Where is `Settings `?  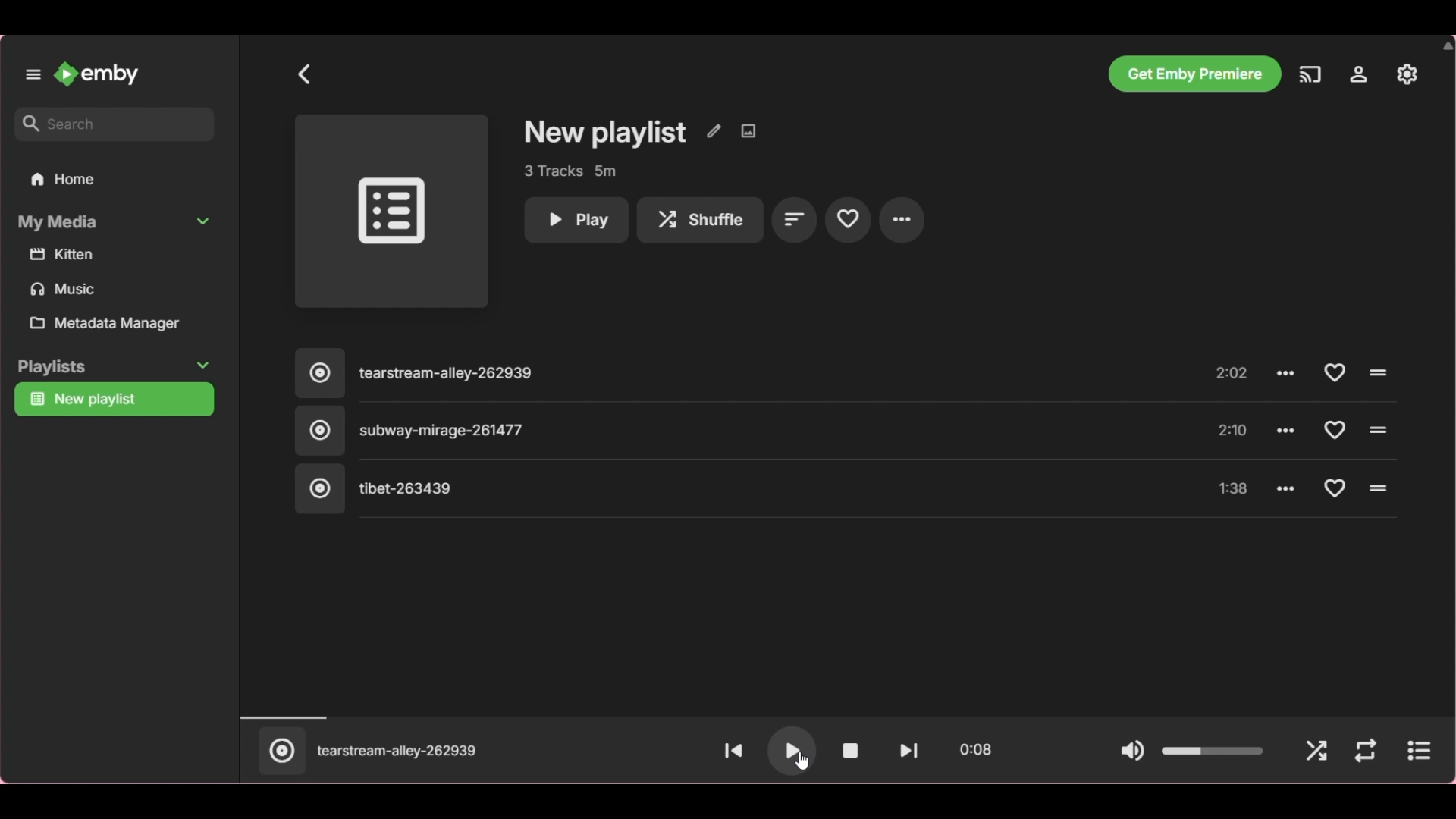 Settings  is located at coordinates (1358, 74).